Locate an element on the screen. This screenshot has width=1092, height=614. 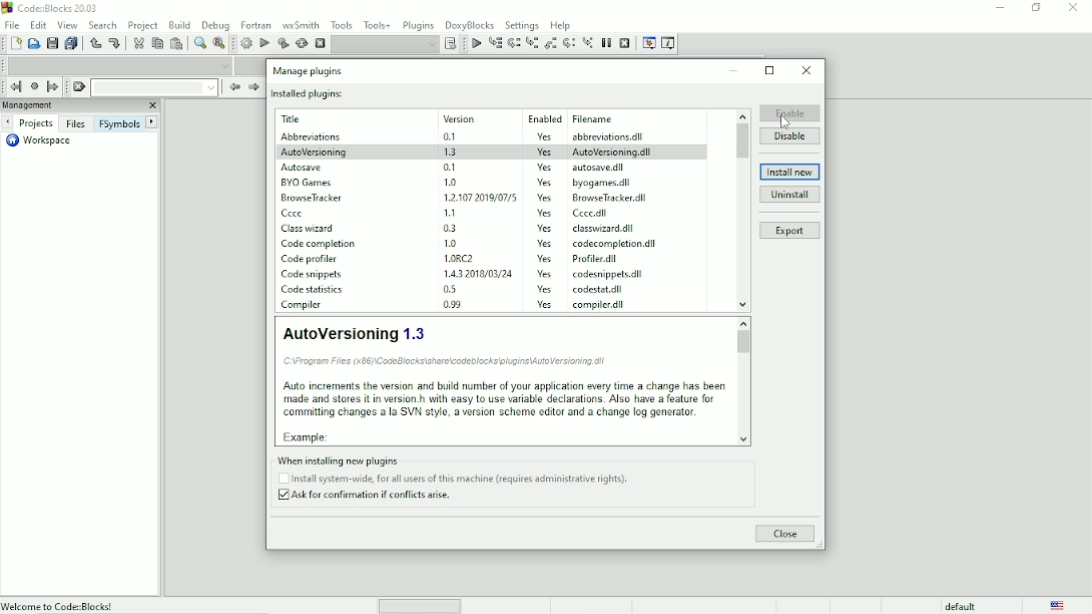
Settings is located at coordinates (521, 25).